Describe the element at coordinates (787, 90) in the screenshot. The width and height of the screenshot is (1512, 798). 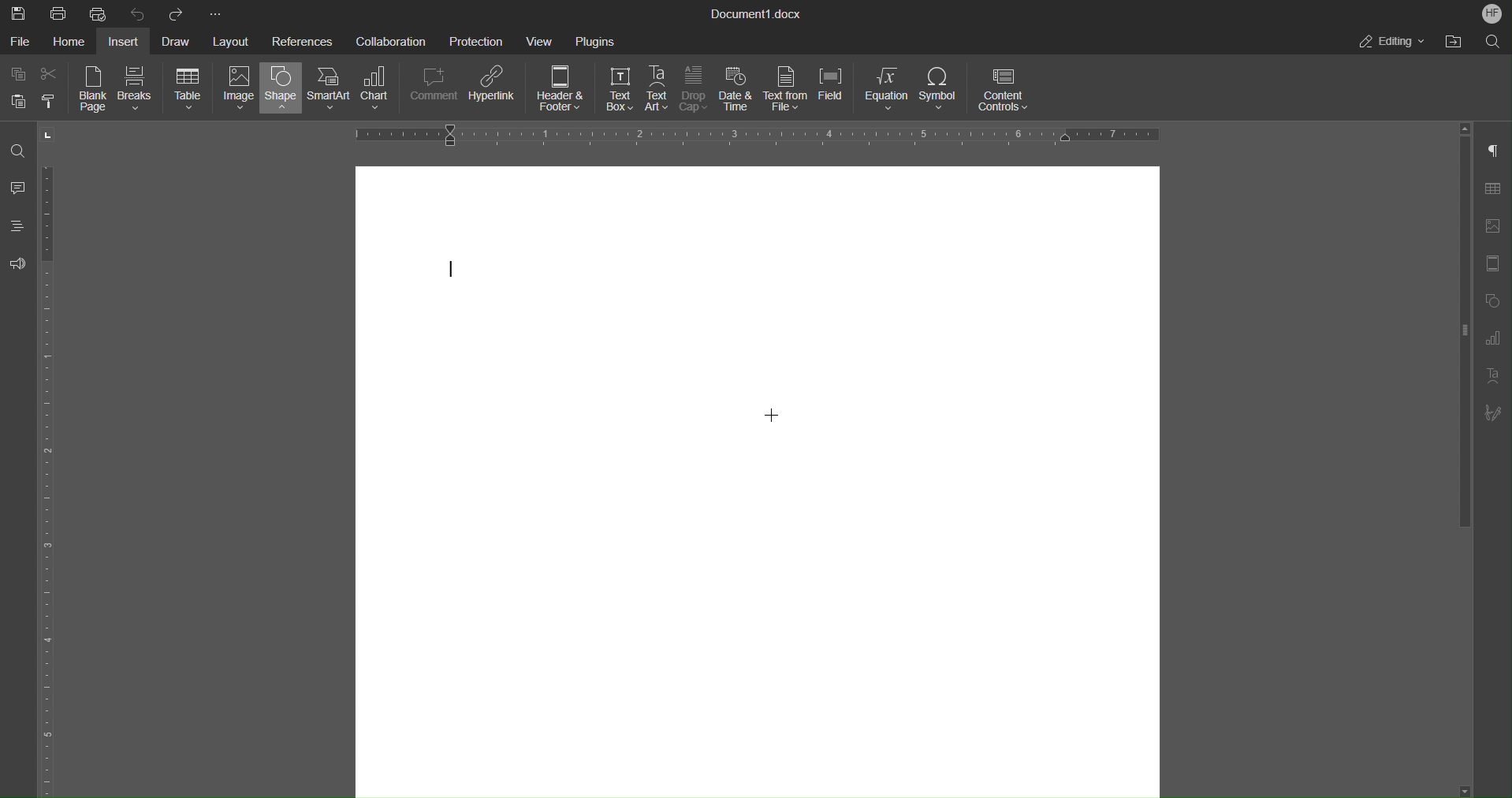
I see `Text from File` at that location.